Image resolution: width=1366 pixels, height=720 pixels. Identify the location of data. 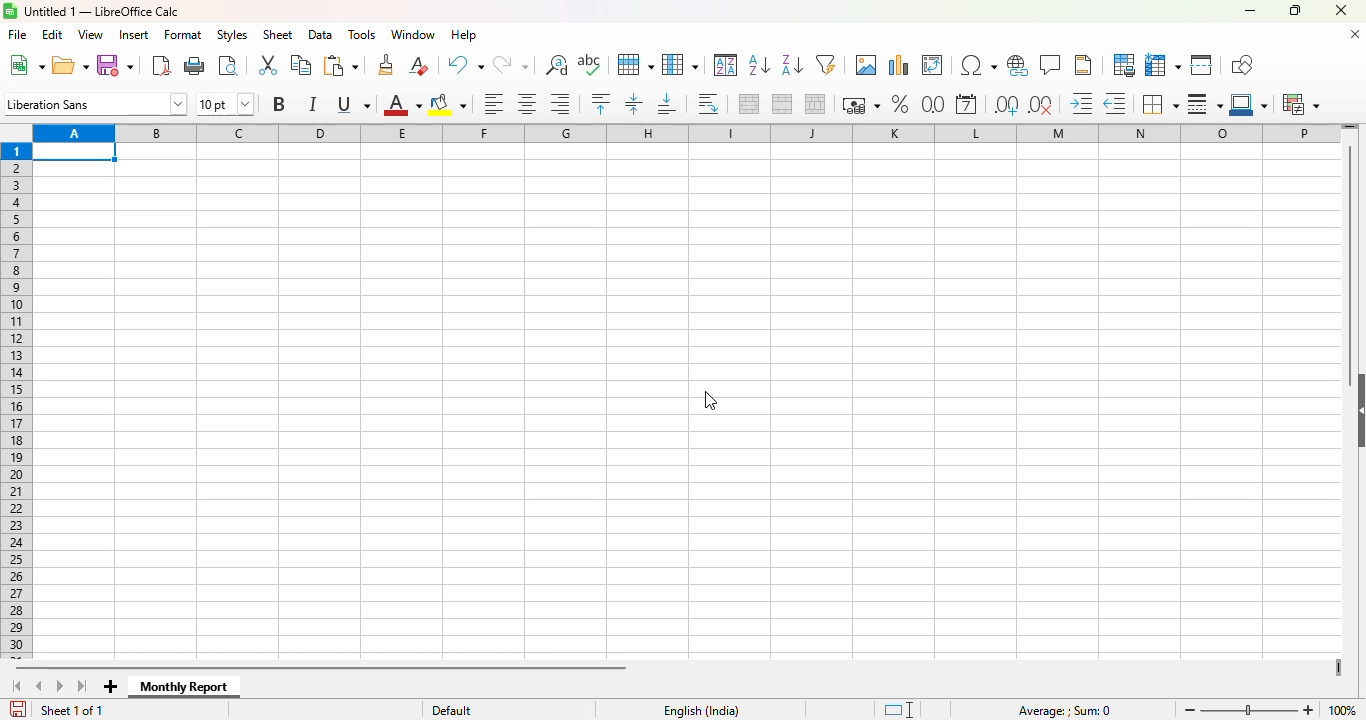
(321, 35).